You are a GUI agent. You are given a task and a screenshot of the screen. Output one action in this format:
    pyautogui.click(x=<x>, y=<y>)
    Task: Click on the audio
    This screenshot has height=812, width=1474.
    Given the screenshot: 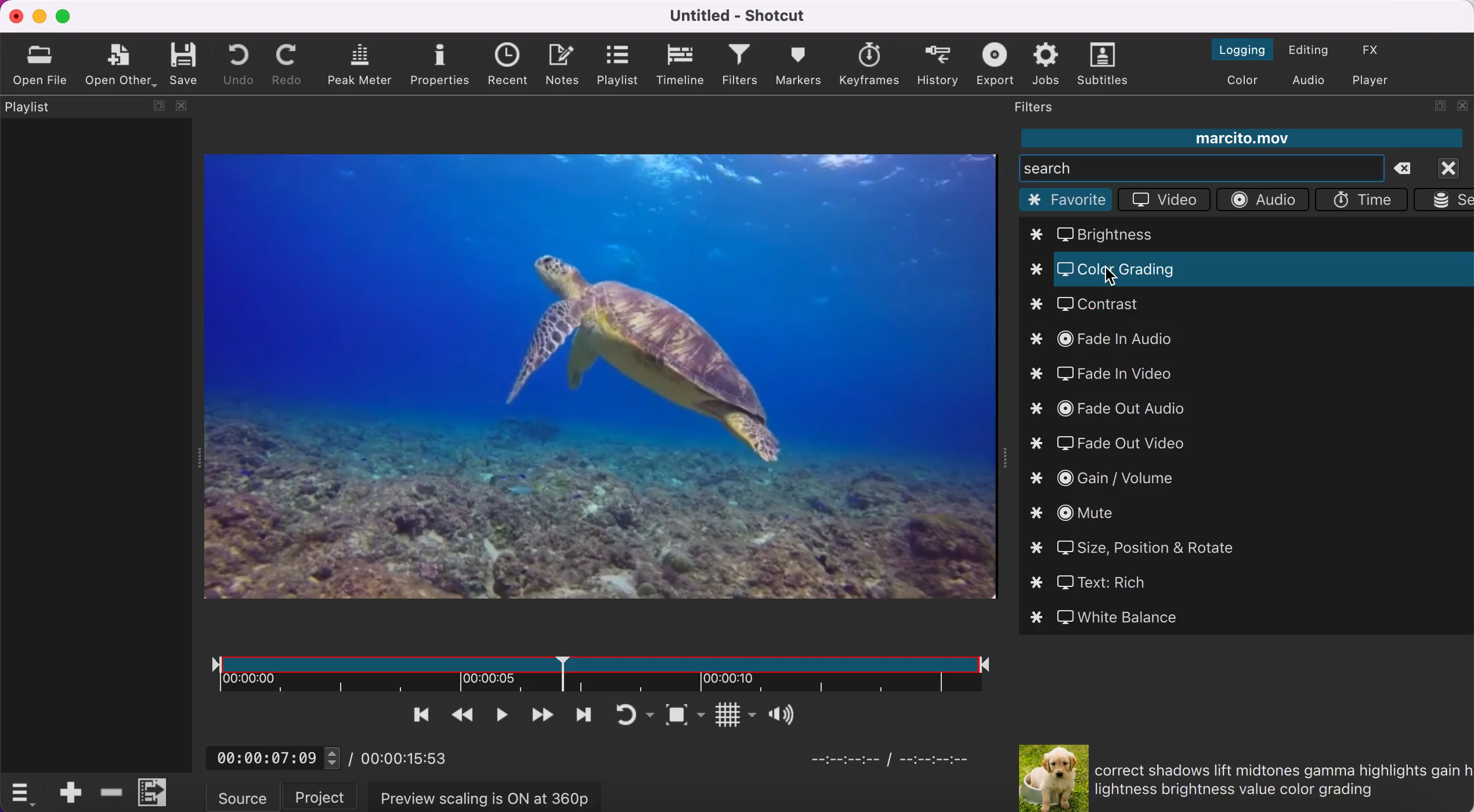 What is the action you would take?
    pyautogui.click(x=1262, y=201)
    